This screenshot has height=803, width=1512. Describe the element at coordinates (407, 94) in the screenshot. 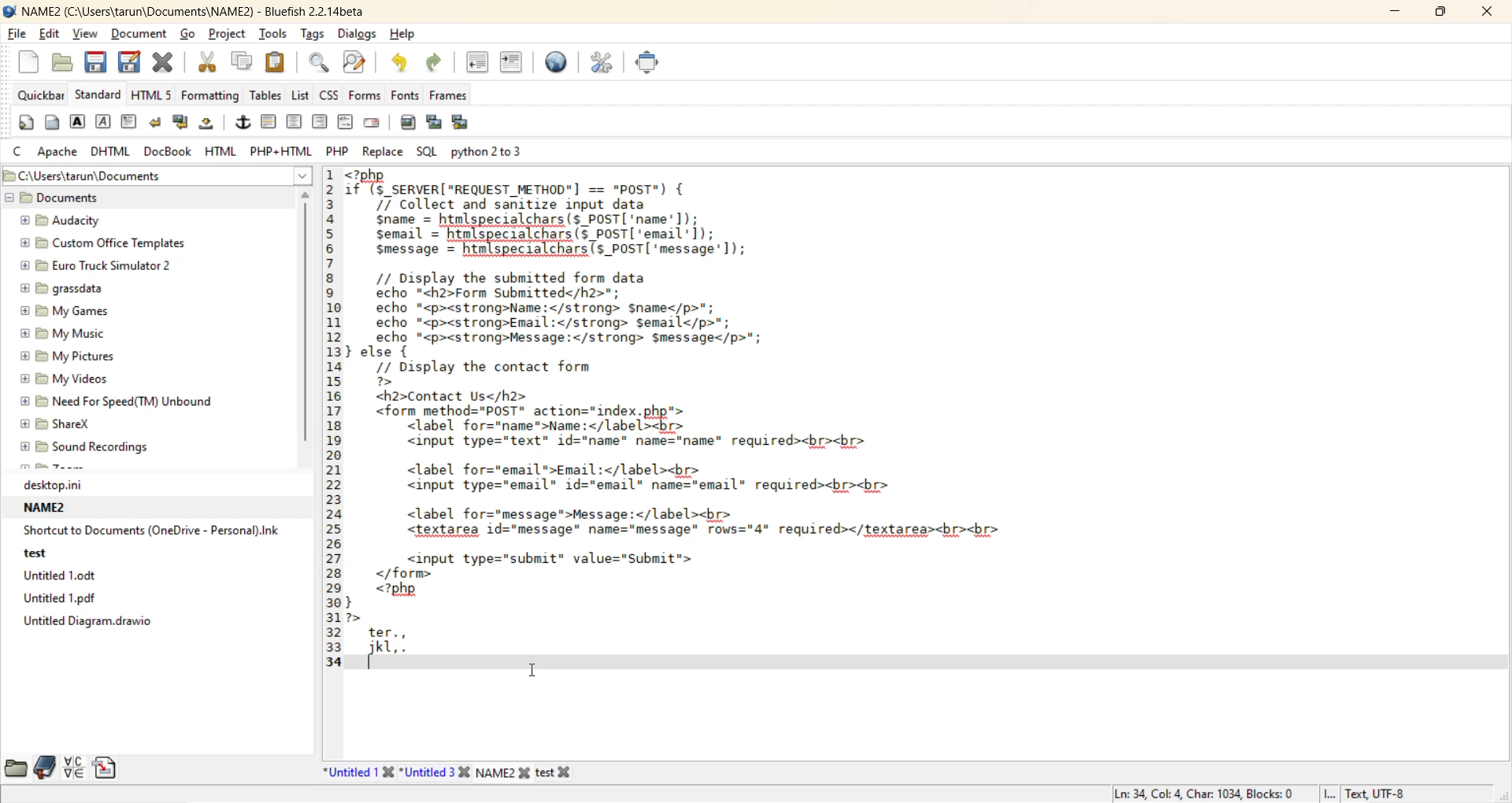

I see `fonts` at that location.